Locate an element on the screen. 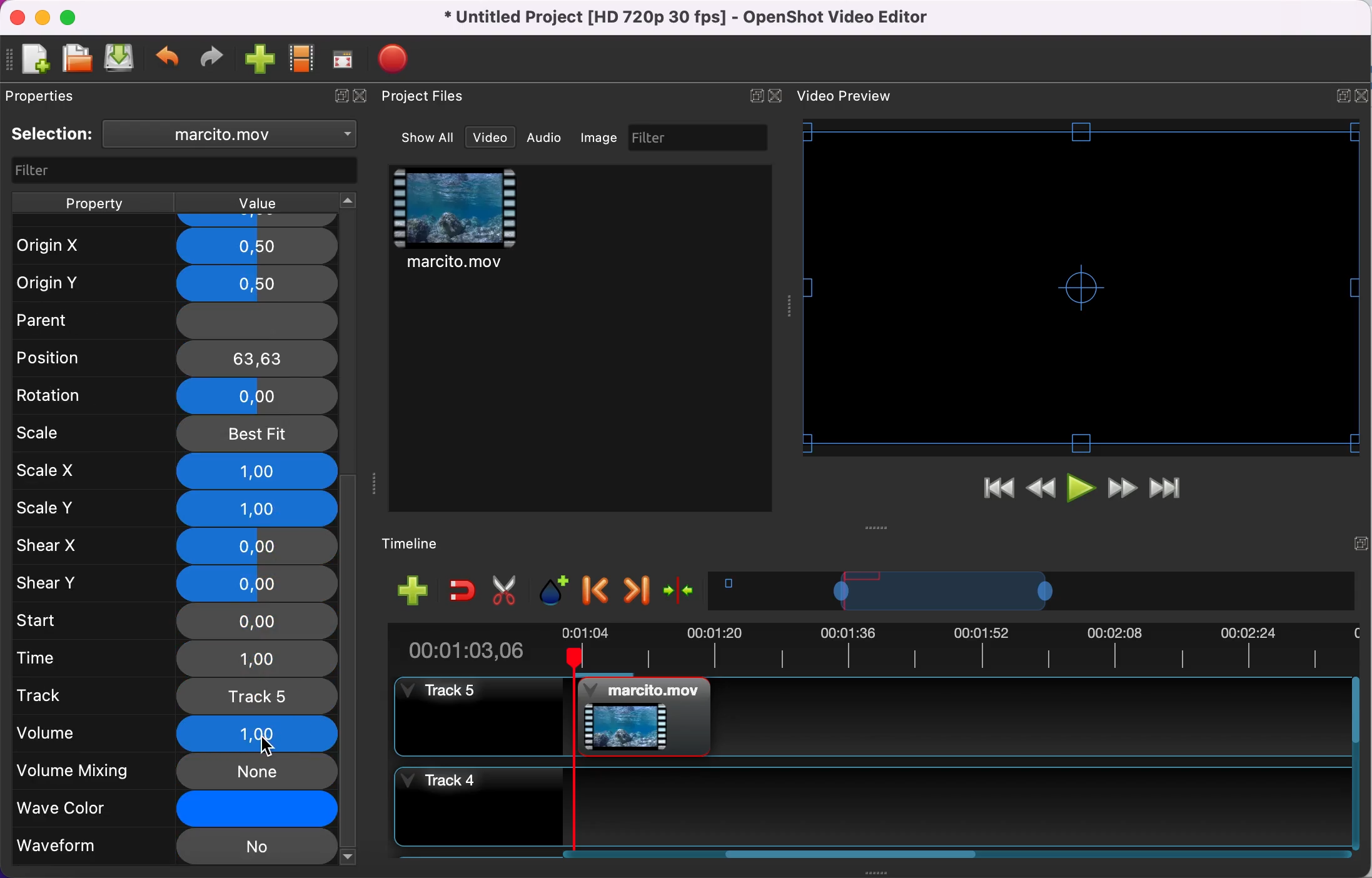 Image resolution: width=1372 pixels, height=878 pixels. new file is located at coordinates (30, 61).